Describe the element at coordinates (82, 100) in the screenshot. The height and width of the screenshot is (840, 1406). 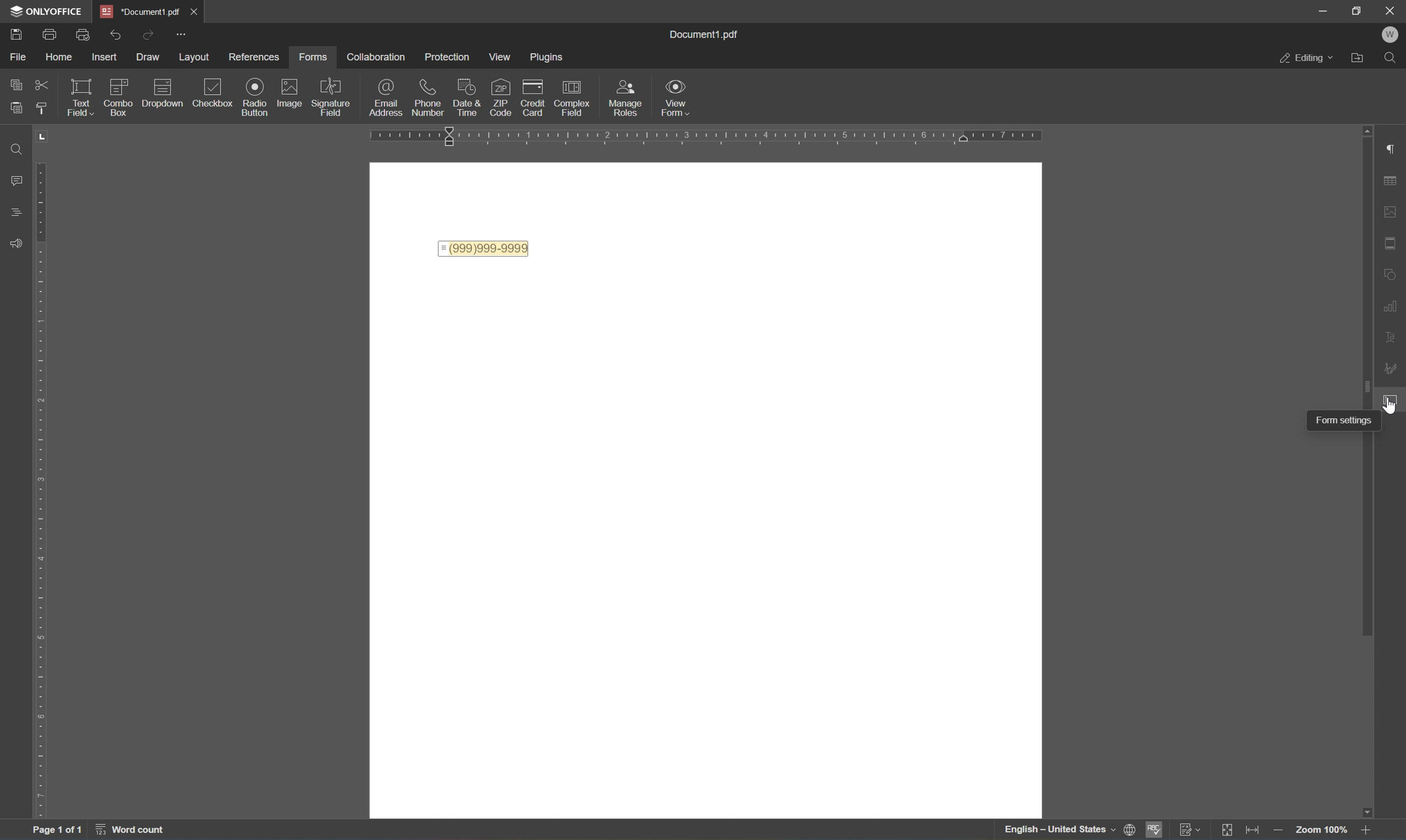
I see `text field` at that location.